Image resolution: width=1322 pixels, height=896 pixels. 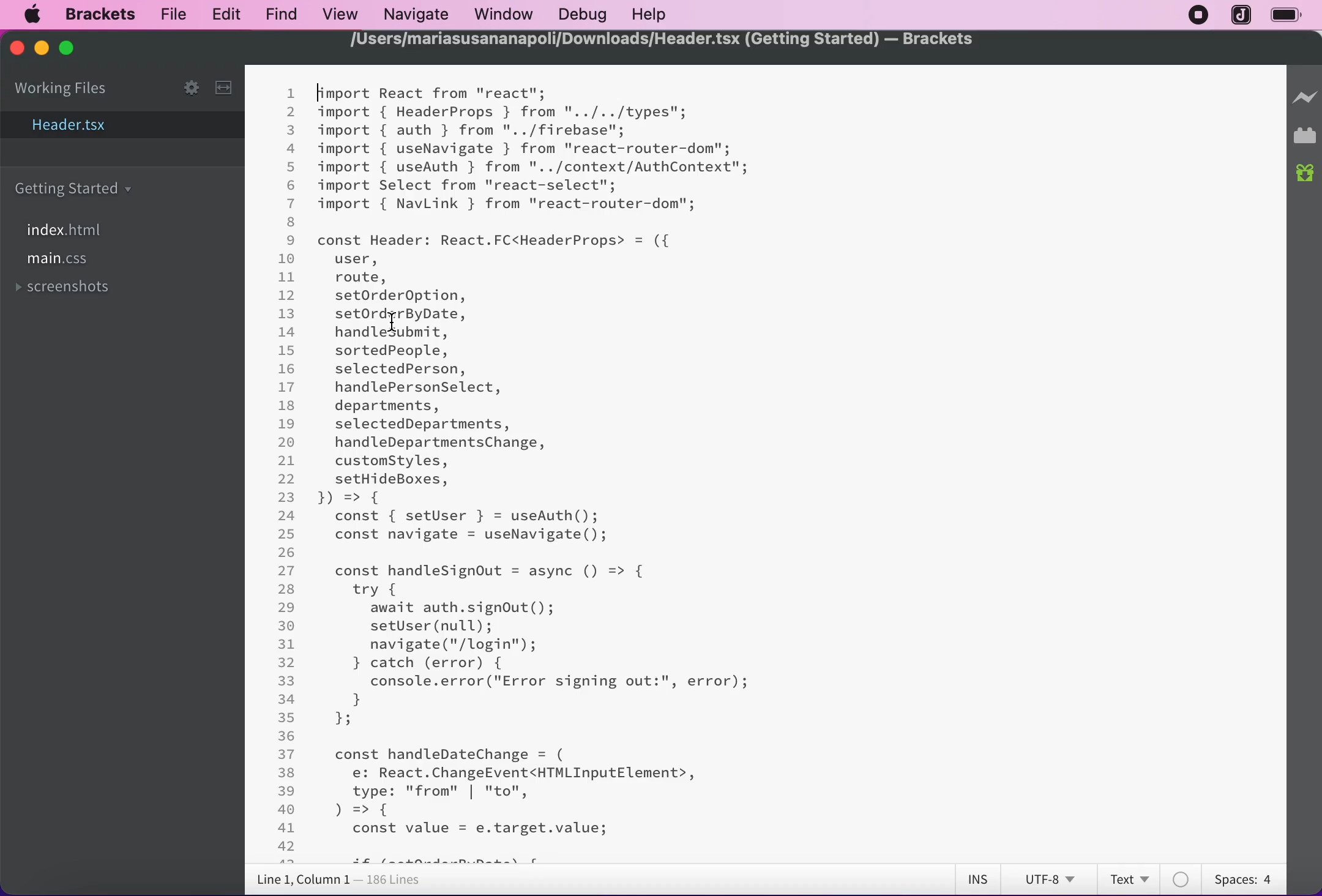 I want to click on utf-8, so click(x=1050, y=879).